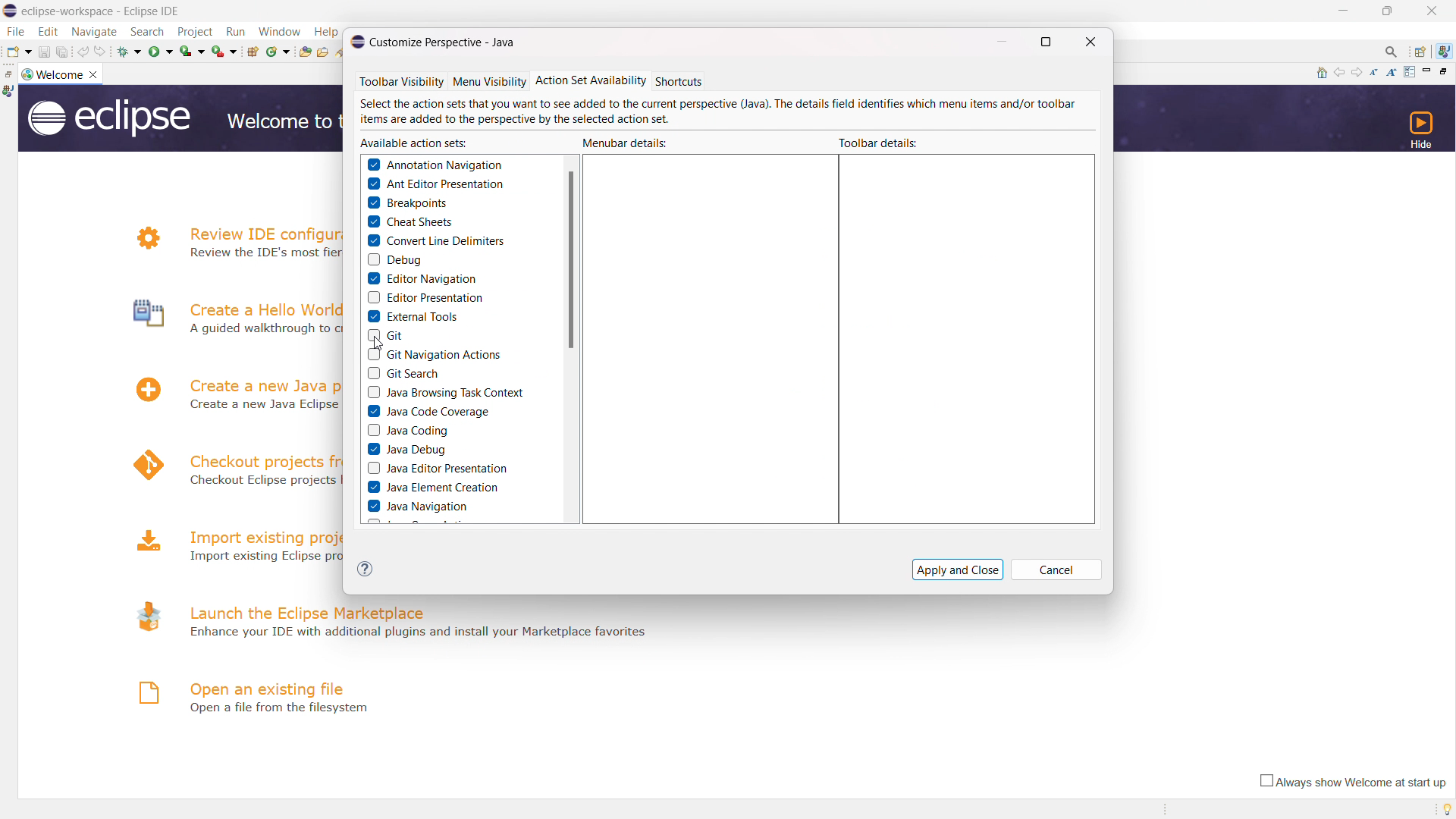 This screenshot has height=819, width=1456. I want to click on help, so click(366, 570).